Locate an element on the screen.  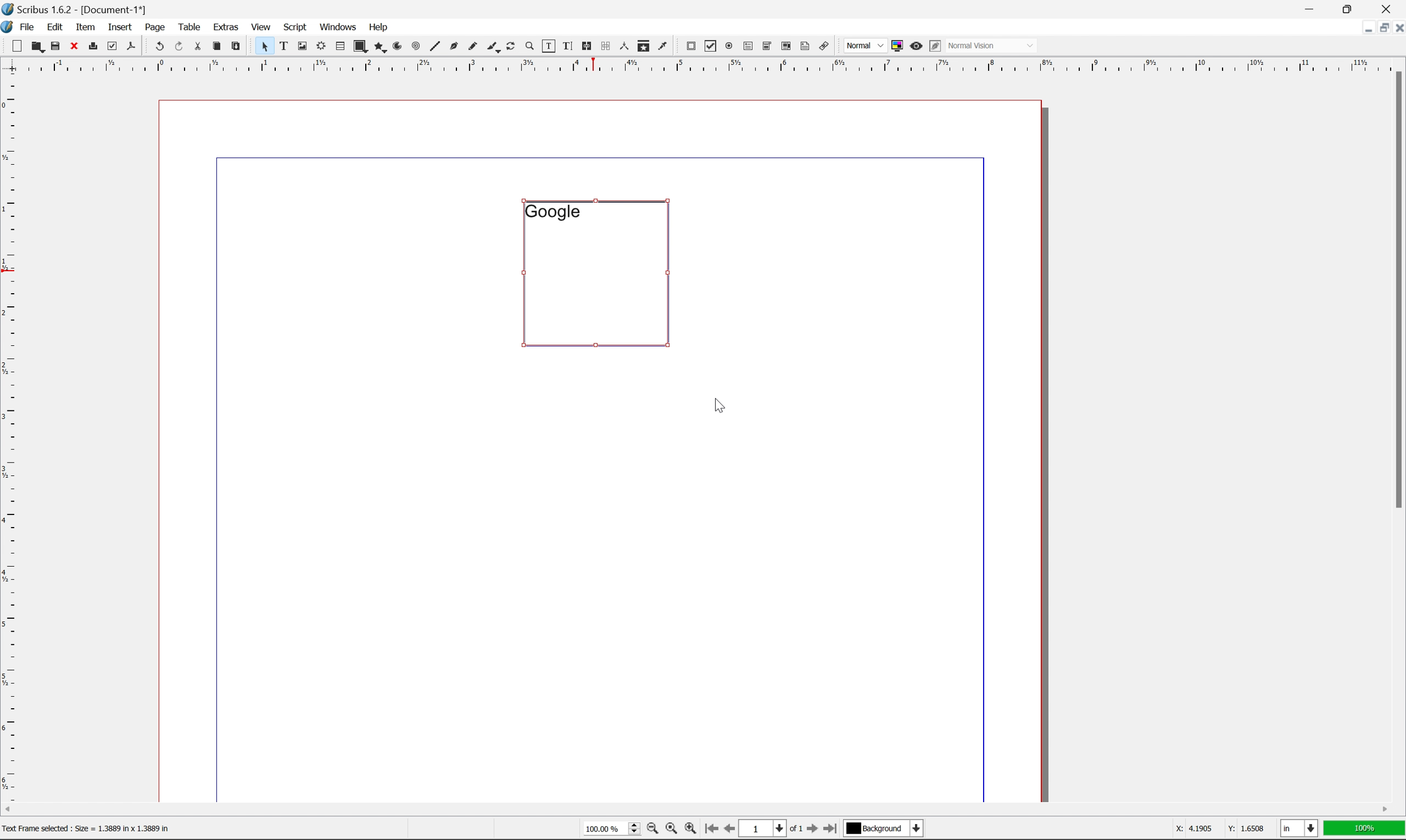
copy is located at coordinates (219, 47).